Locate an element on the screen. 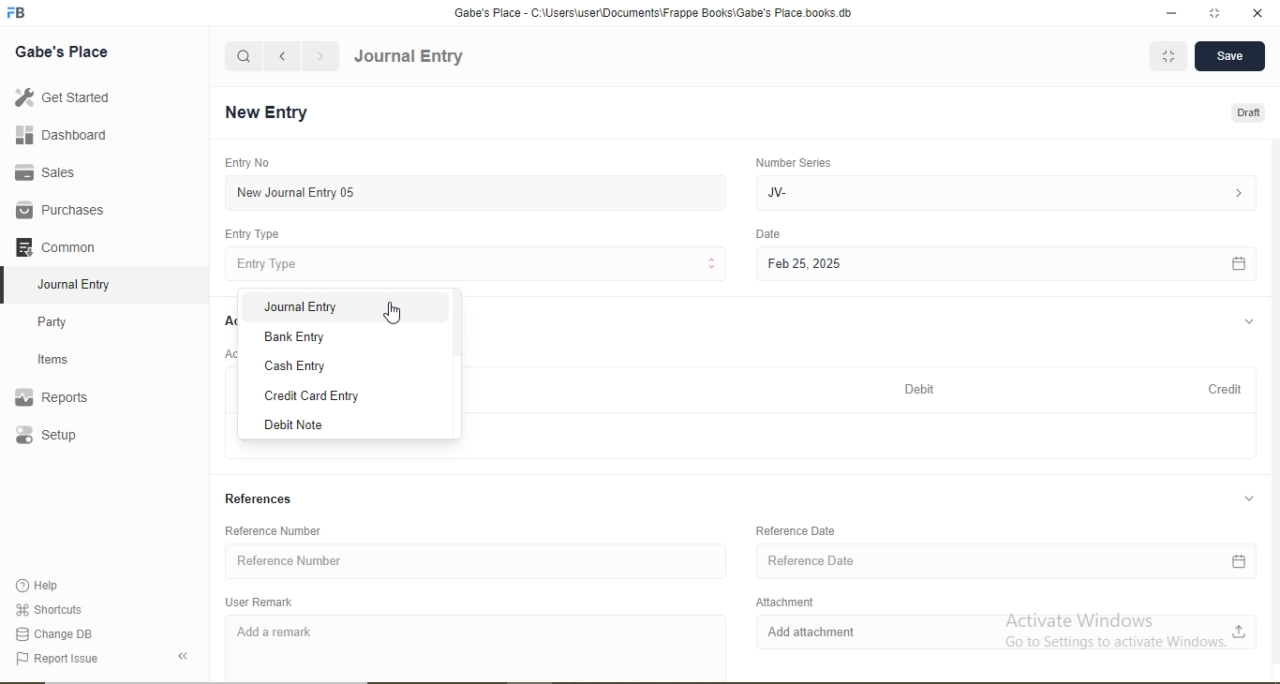 The height and width of the screenshot is (684, 1280). Reference Number is located at coordinates (474, 562).